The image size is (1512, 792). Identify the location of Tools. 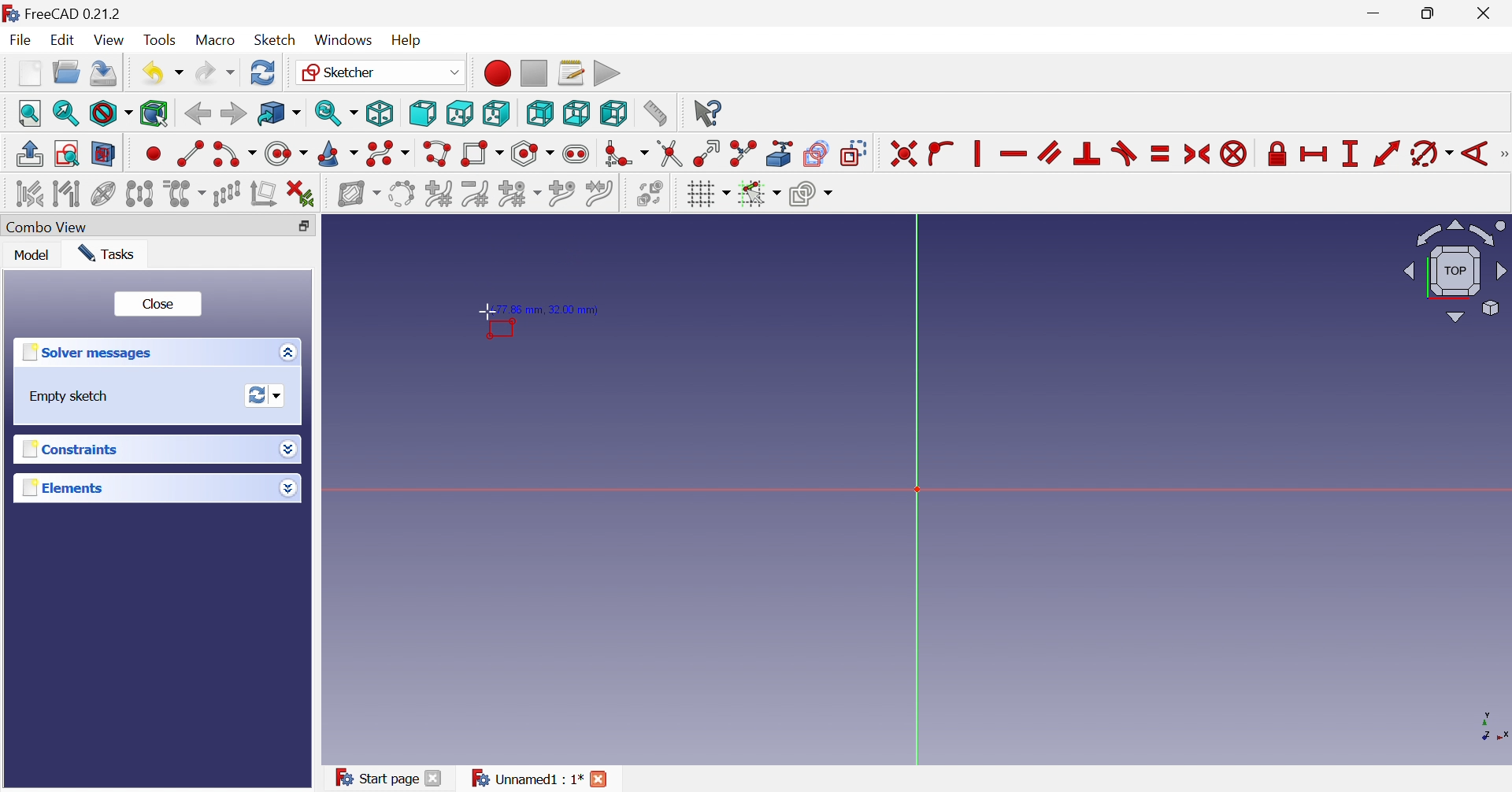
(160, 39).